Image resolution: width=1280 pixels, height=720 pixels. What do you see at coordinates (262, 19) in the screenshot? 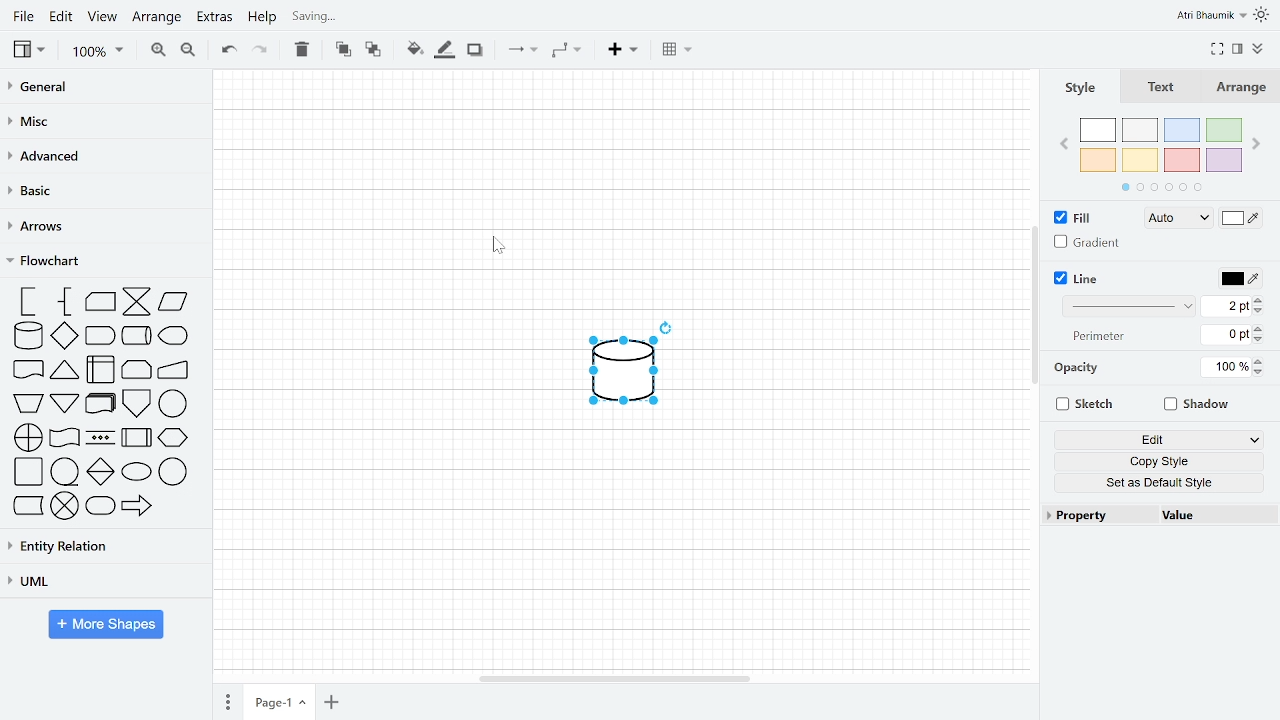
I see `Help` at bounding box center [262, 19].